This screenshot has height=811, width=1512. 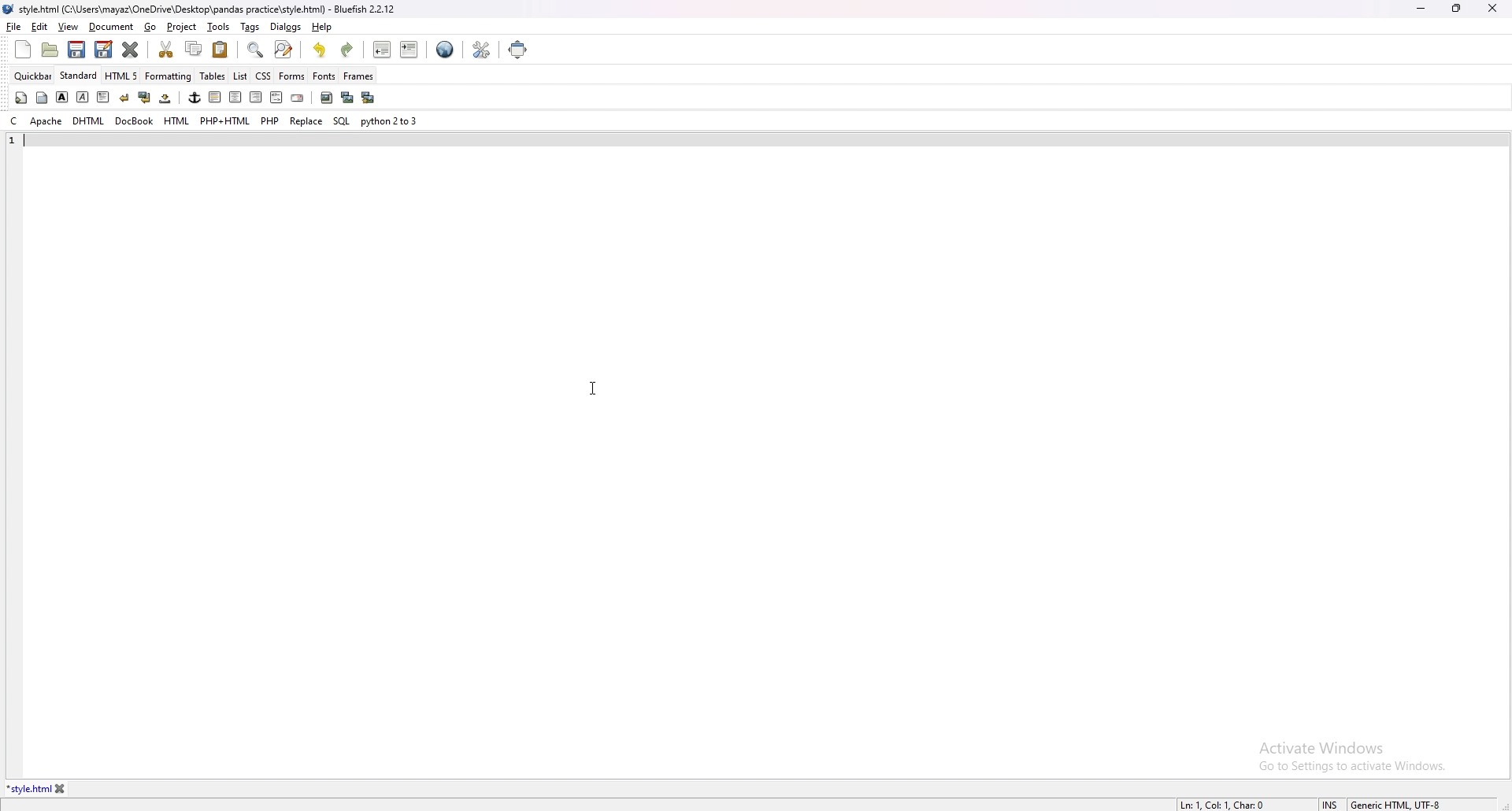 What do you see at coordinates (297, 98) in the screenshot?
I see `email` at bounding box center [297, 98].